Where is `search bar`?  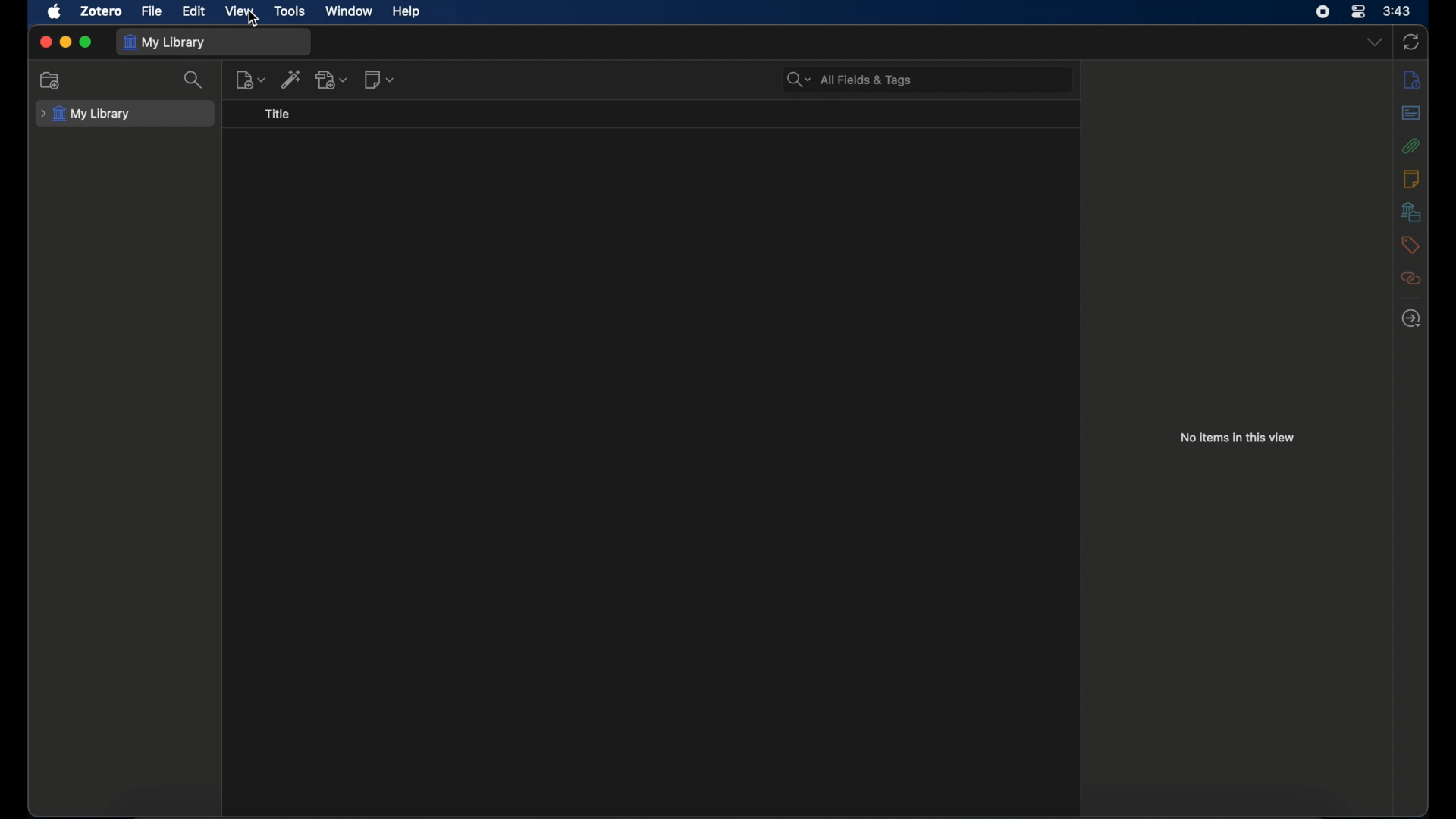
search bar is located at coordinates (850, 80).